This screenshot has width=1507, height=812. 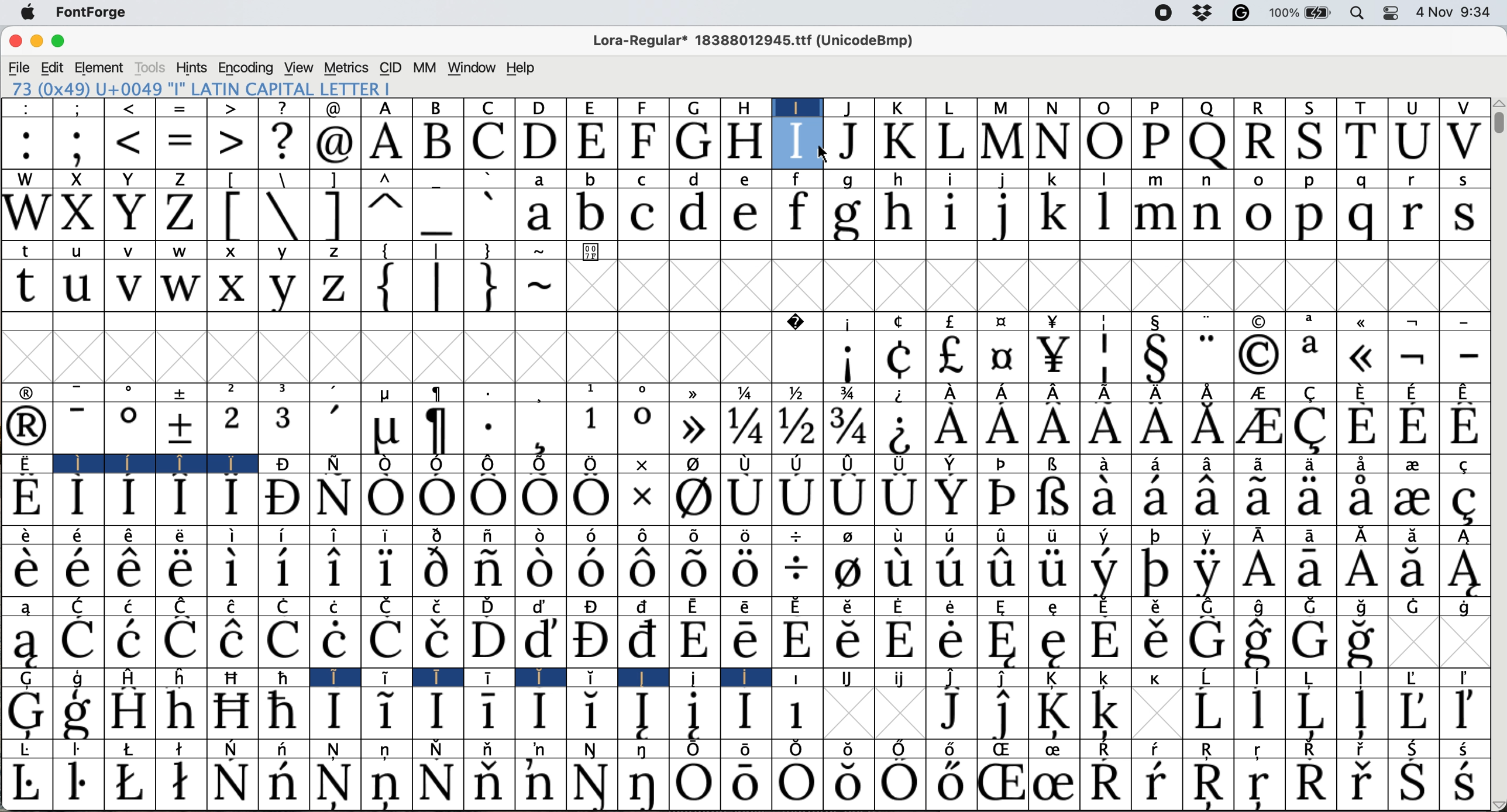 What do you see at coordinates (1312, 750) in the screenshot?
I see `Symbol` at bounding box center [1312, 750].